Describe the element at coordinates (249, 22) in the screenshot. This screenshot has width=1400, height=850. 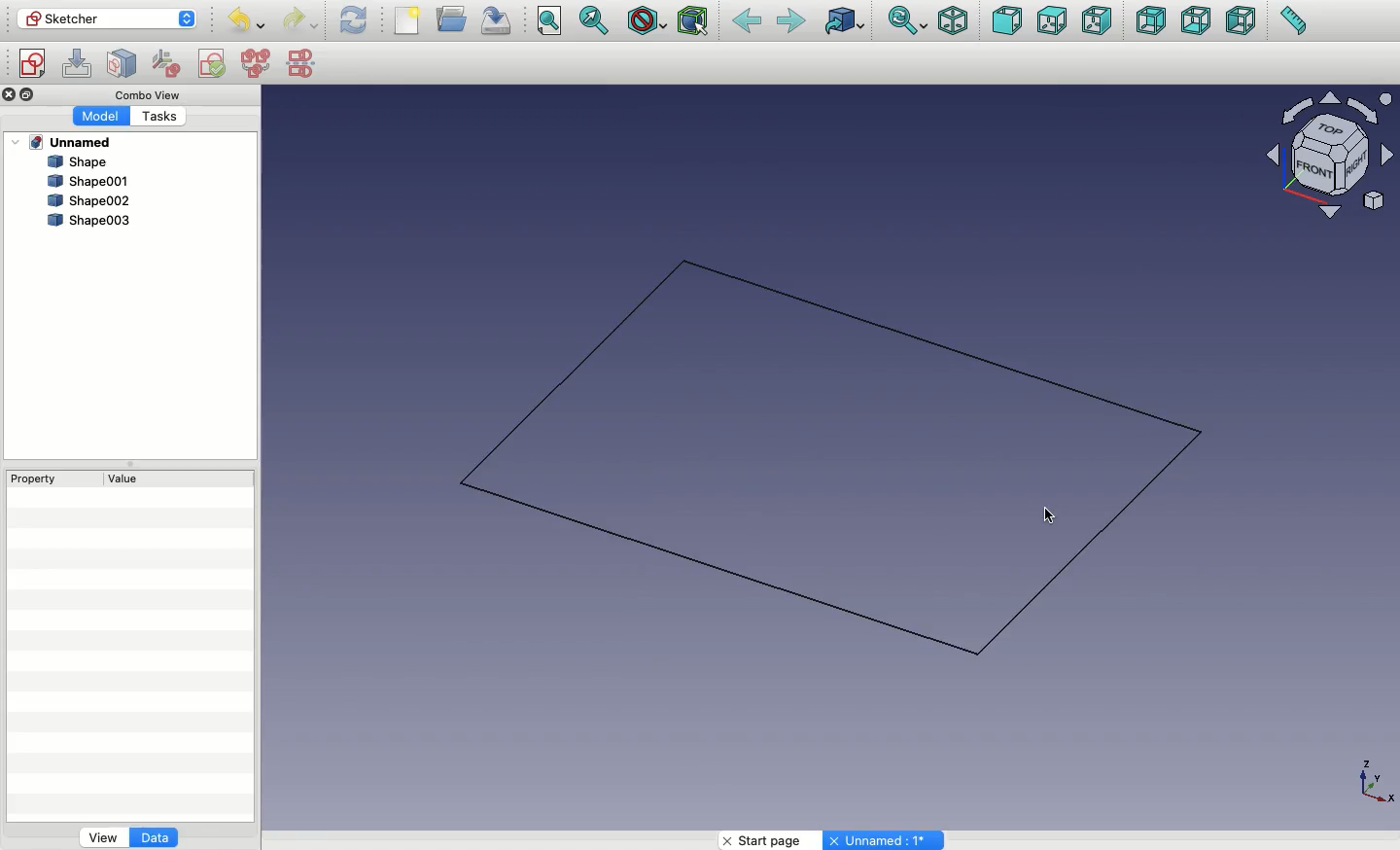
I see `Undo` at that location.